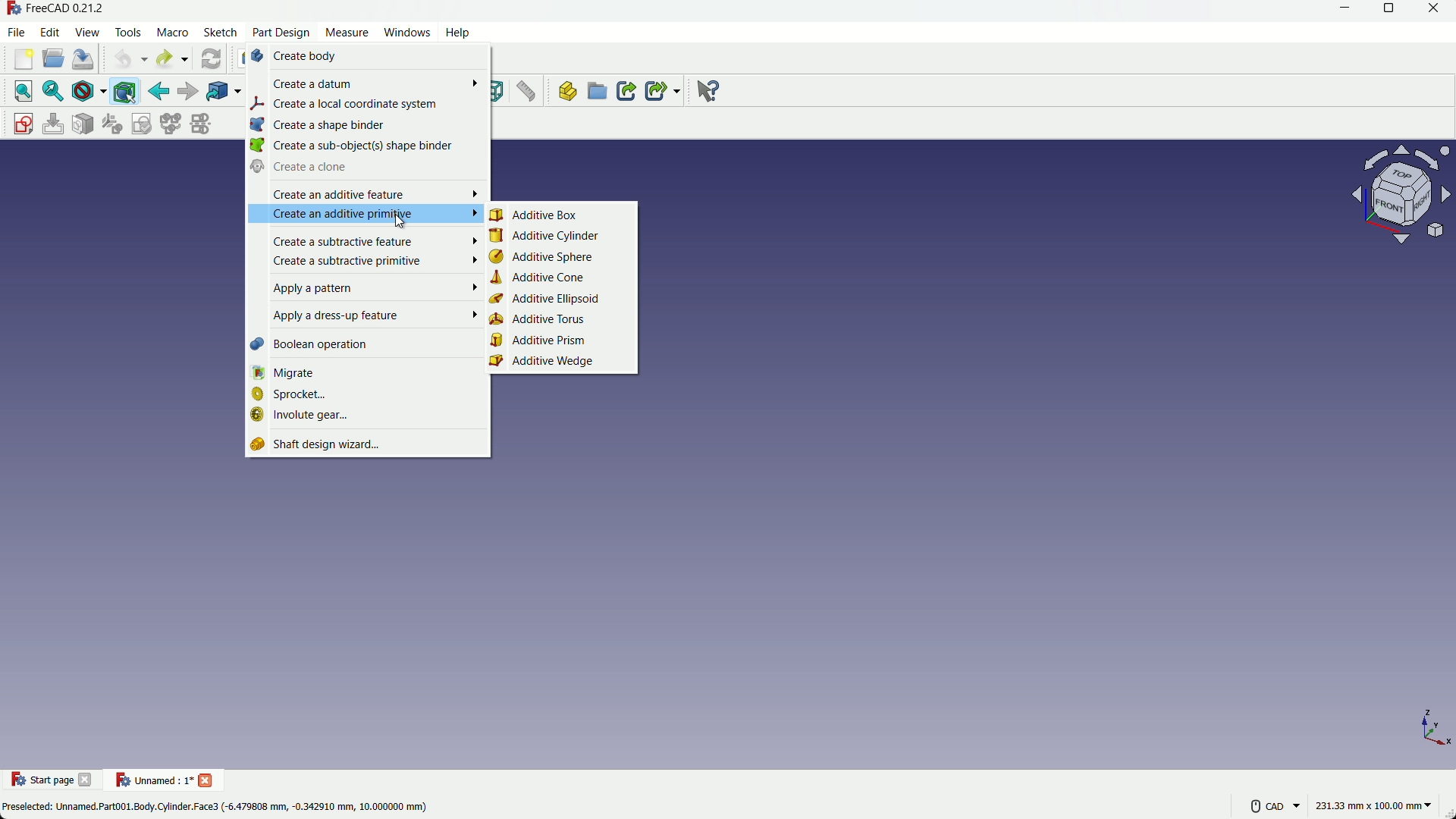 The height and width of the screenshot is (819, 1456). Describe the element at coordinates (563, 365) in the screenshot. I see `additive wedge` at that location.